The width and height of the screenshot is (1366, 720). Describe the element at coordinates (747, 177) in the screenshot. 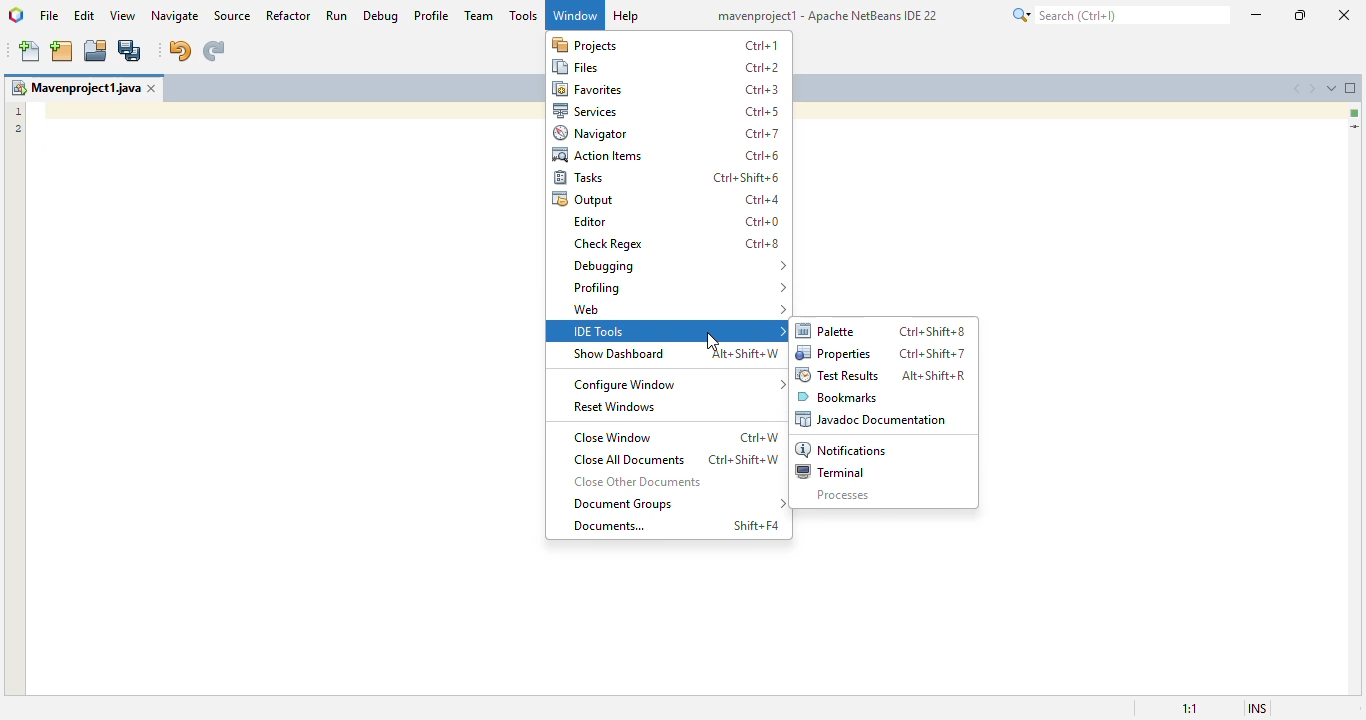

I see `shortcut for tasks` at that location.